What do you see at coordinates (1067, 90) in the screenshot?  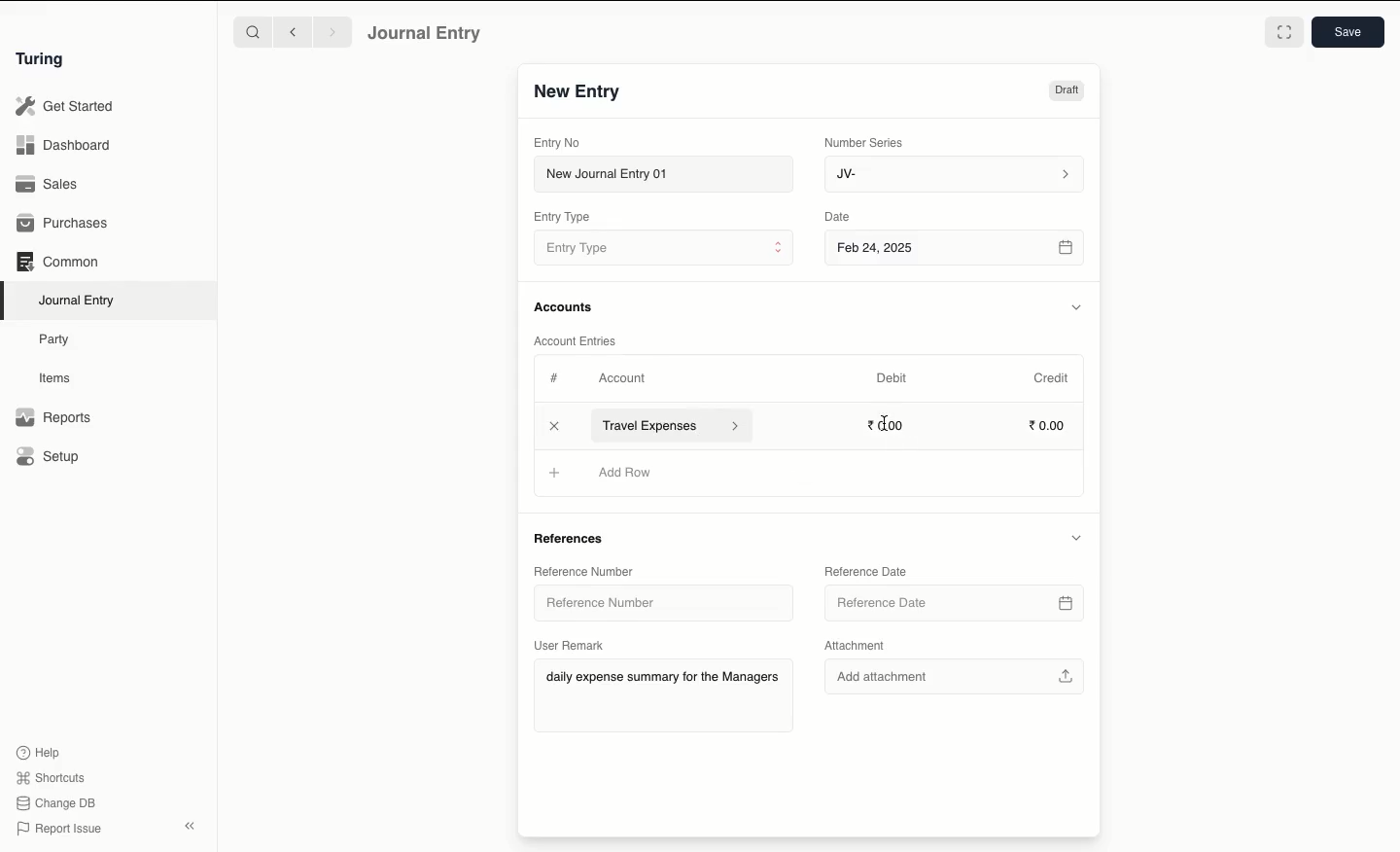 I see `Draft` at bounding box center [1067, 90].